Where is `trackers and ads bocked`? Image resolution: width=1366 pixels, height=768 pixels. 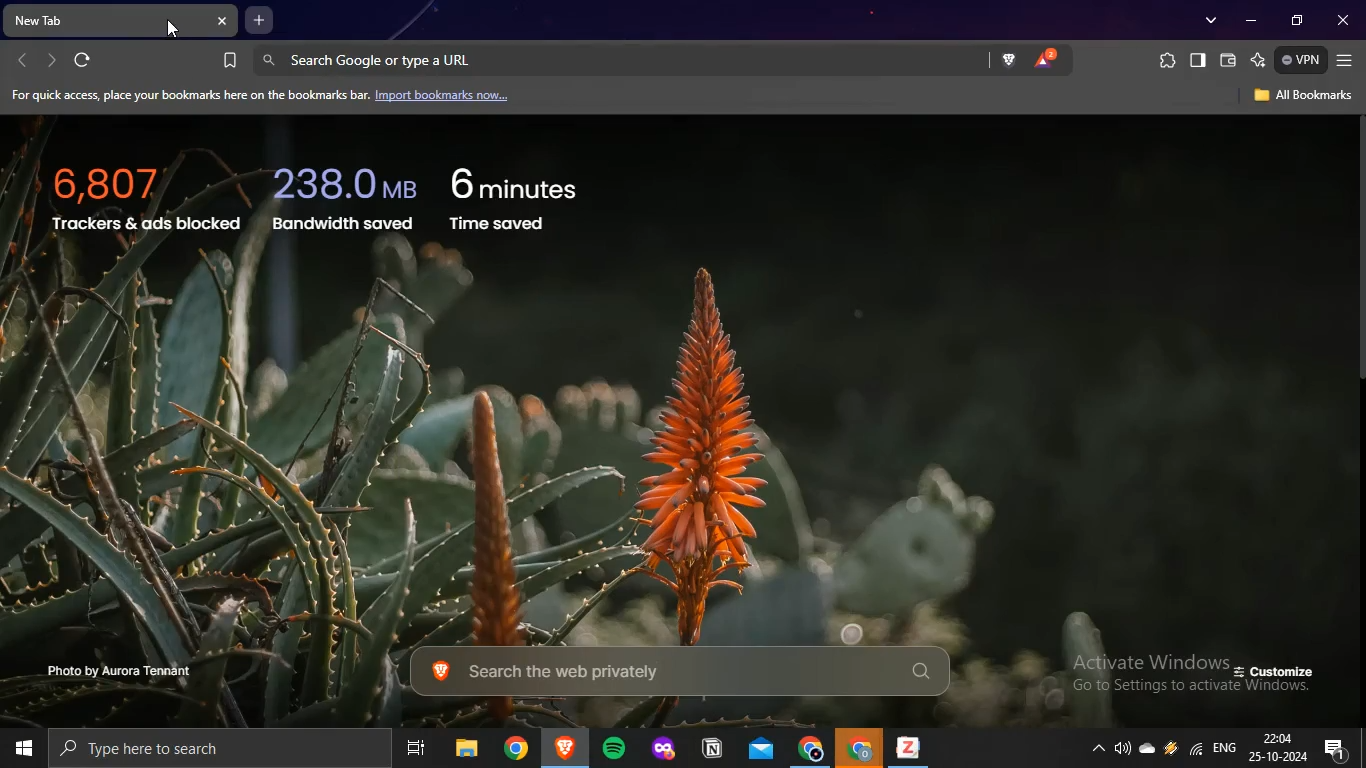
trackers and ads bocked is located at coordinates (336, 199).